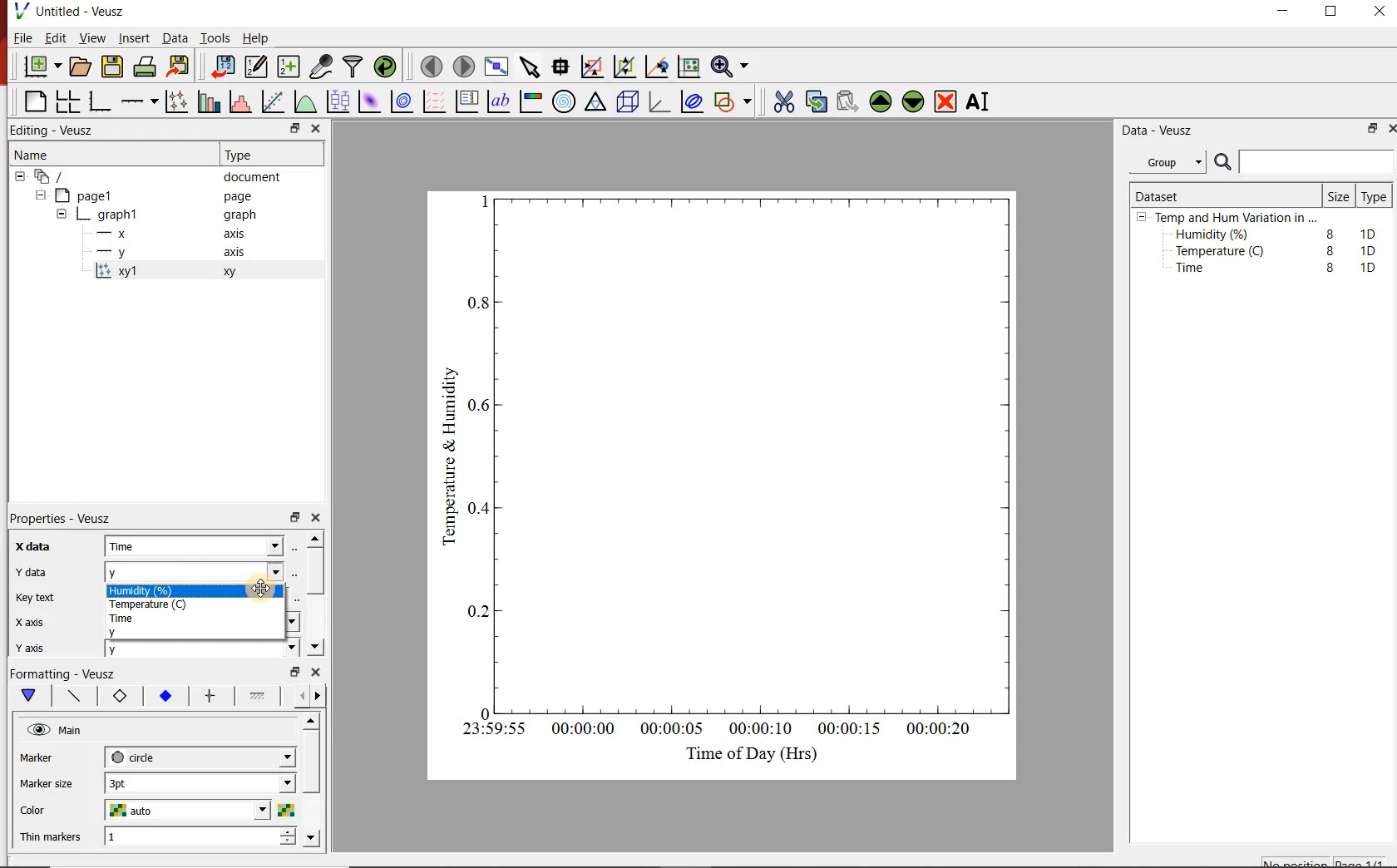 The height and width of the screenshot is (868, 1397). What do you see at coordinates (258, 177) in the screenshot?
I see `document` at bounding box center [258, 177].